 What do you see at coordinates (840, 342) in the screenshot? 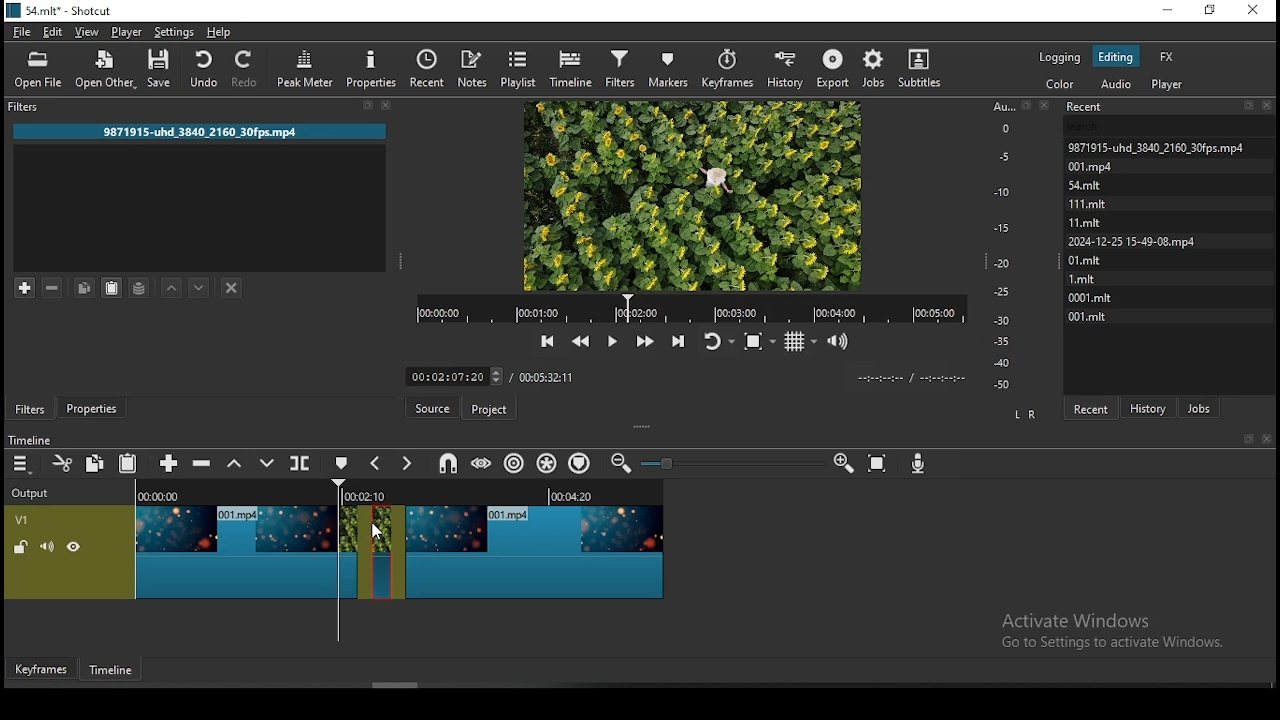
I see `volume control` at bounding box center [840, 342].